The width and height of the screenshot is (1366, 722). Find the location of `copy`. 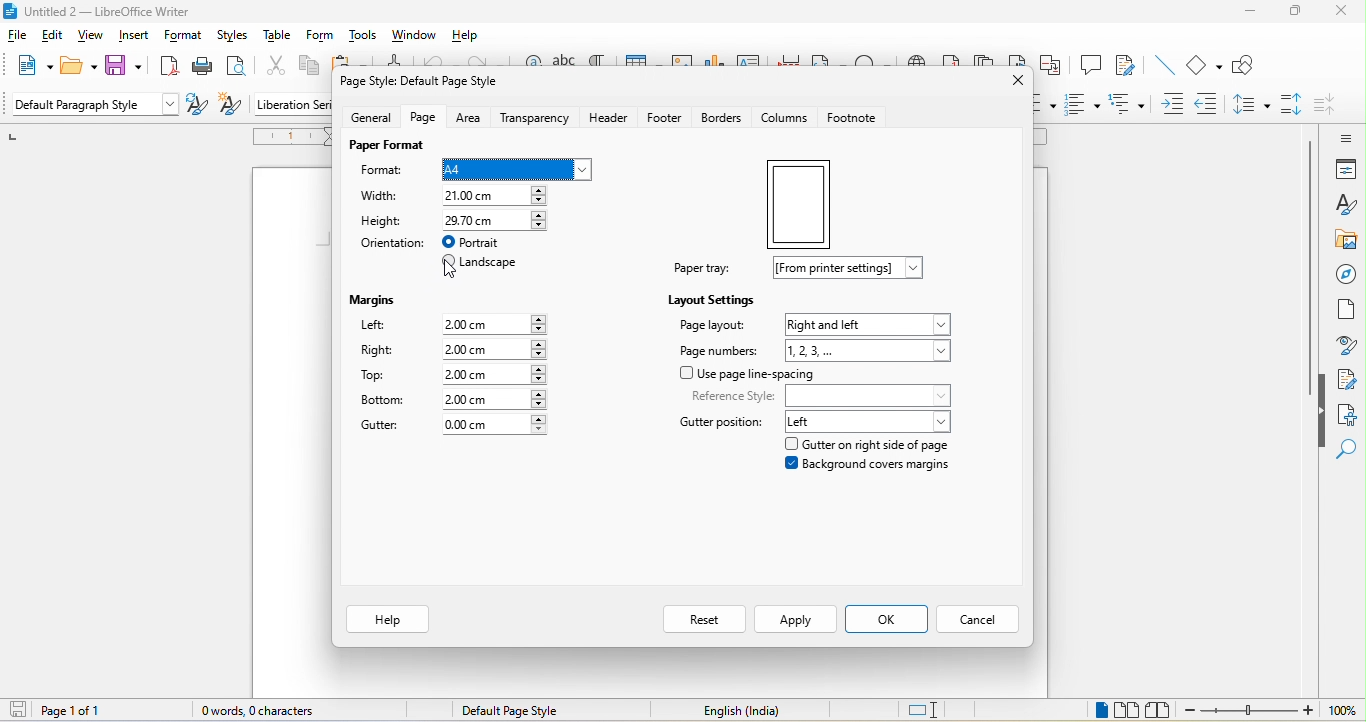

copy is located at coordinates (316, 69).